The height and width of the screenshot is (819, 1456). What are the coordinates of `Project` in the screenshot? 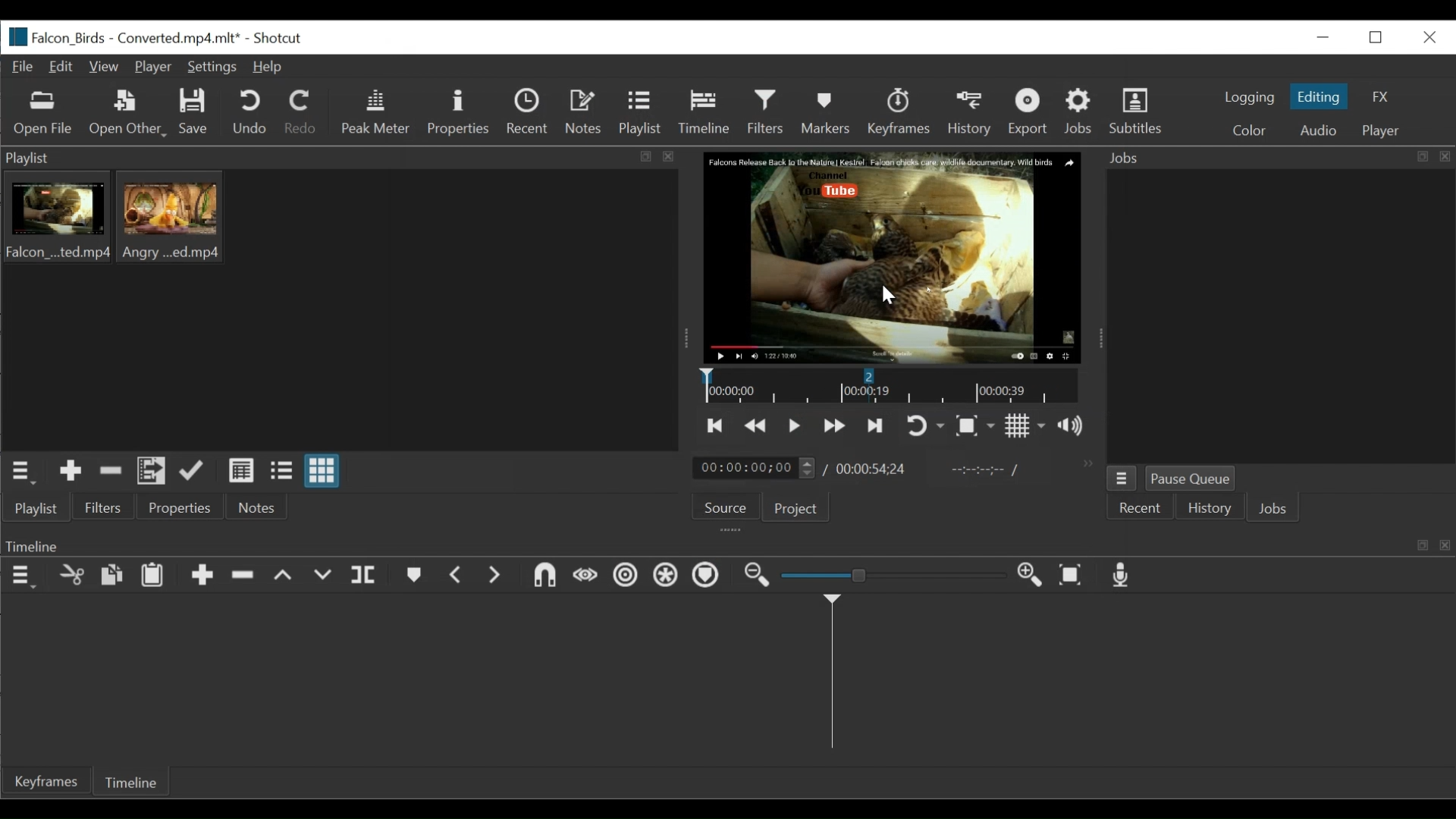 It's located at (799, 508).